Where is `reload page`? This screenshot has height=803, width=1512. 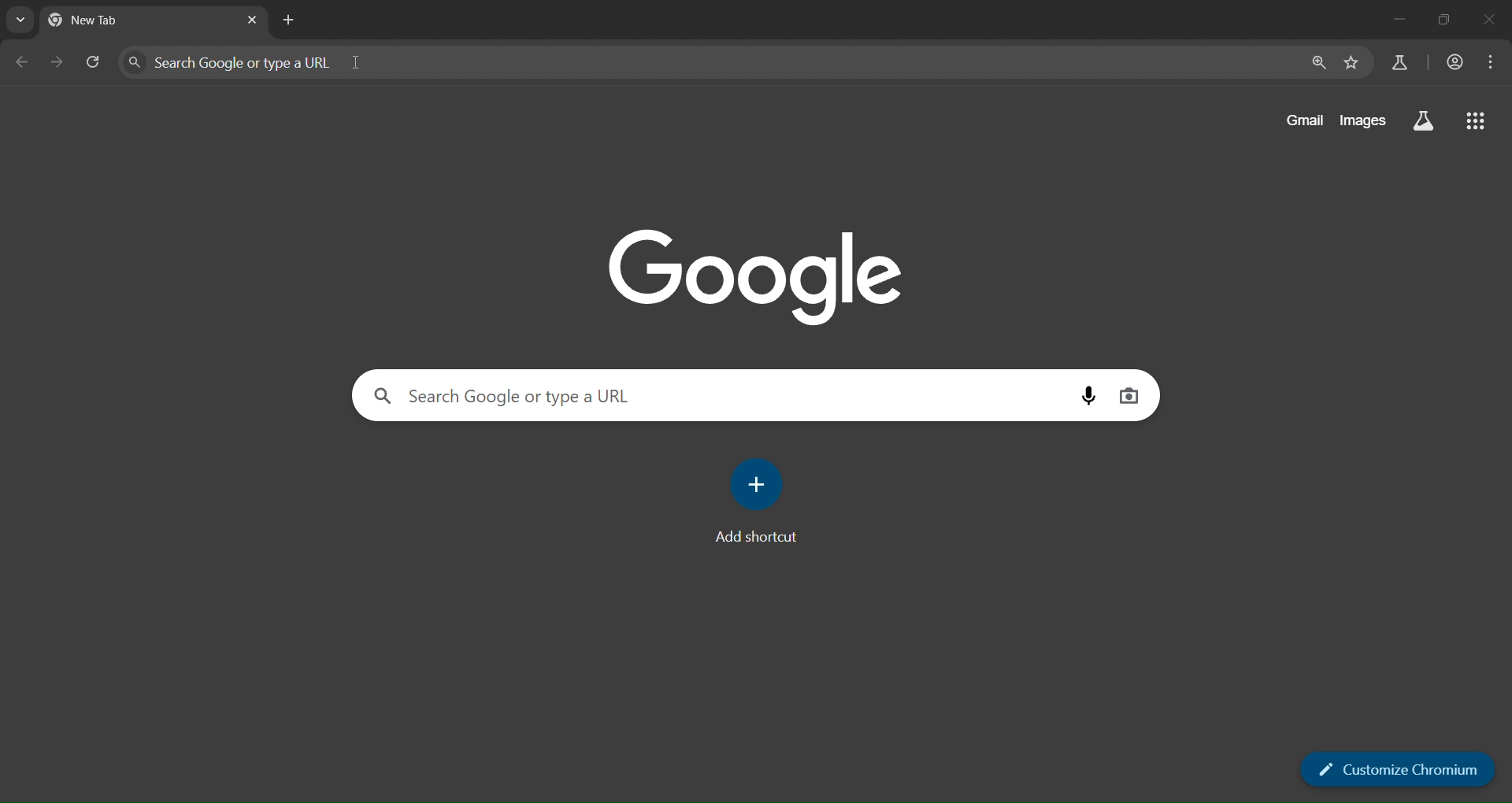
reload page is located at coordinates (91, 60).